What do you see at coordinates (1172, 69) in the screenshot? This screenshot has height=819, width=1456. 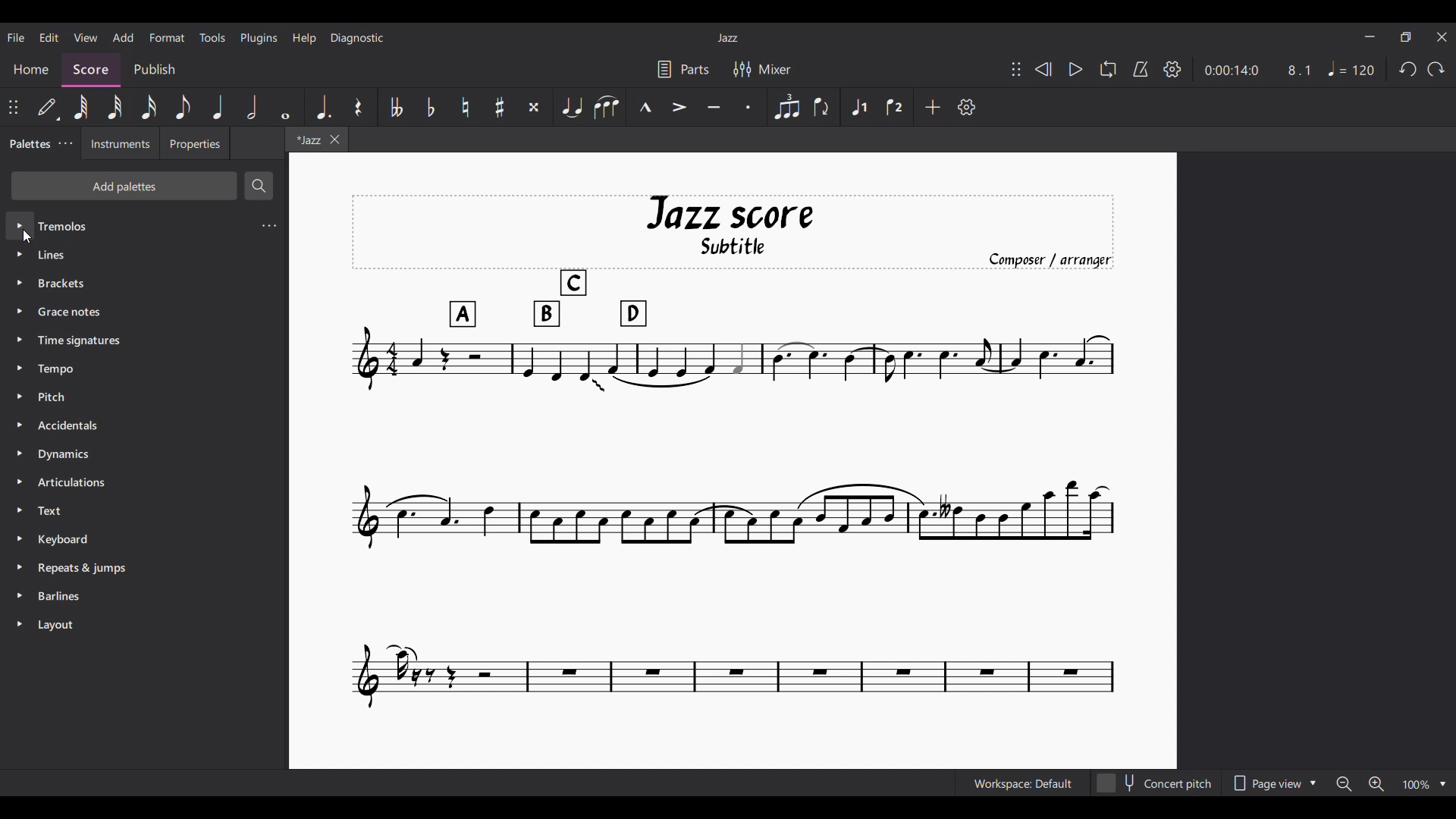 I see `Settings` at bounding box center [1172, 69].